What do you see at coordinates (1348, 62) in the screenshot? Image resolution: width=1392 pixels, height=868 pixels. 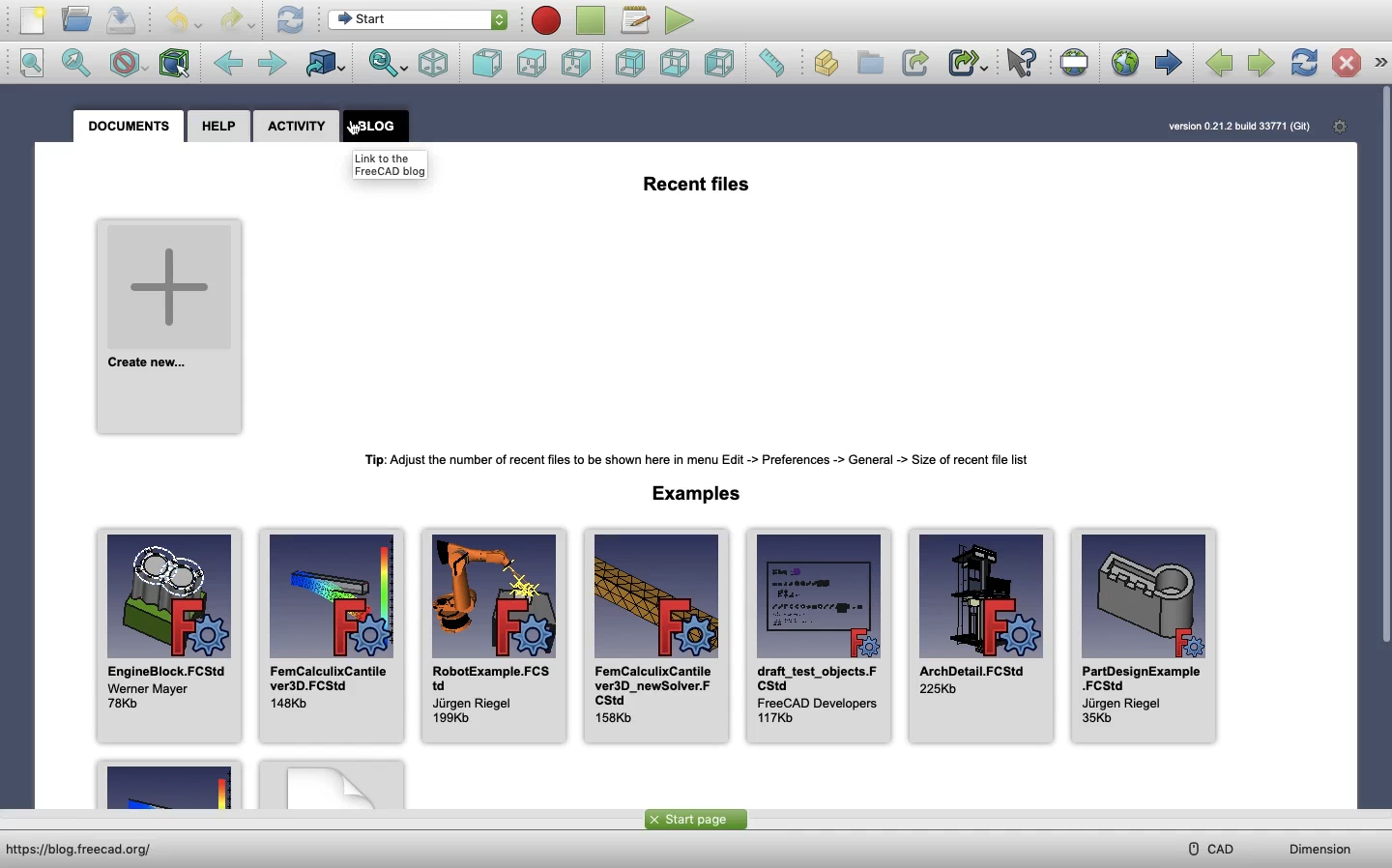 I see `Delete` at bounding box center [1348, 62].